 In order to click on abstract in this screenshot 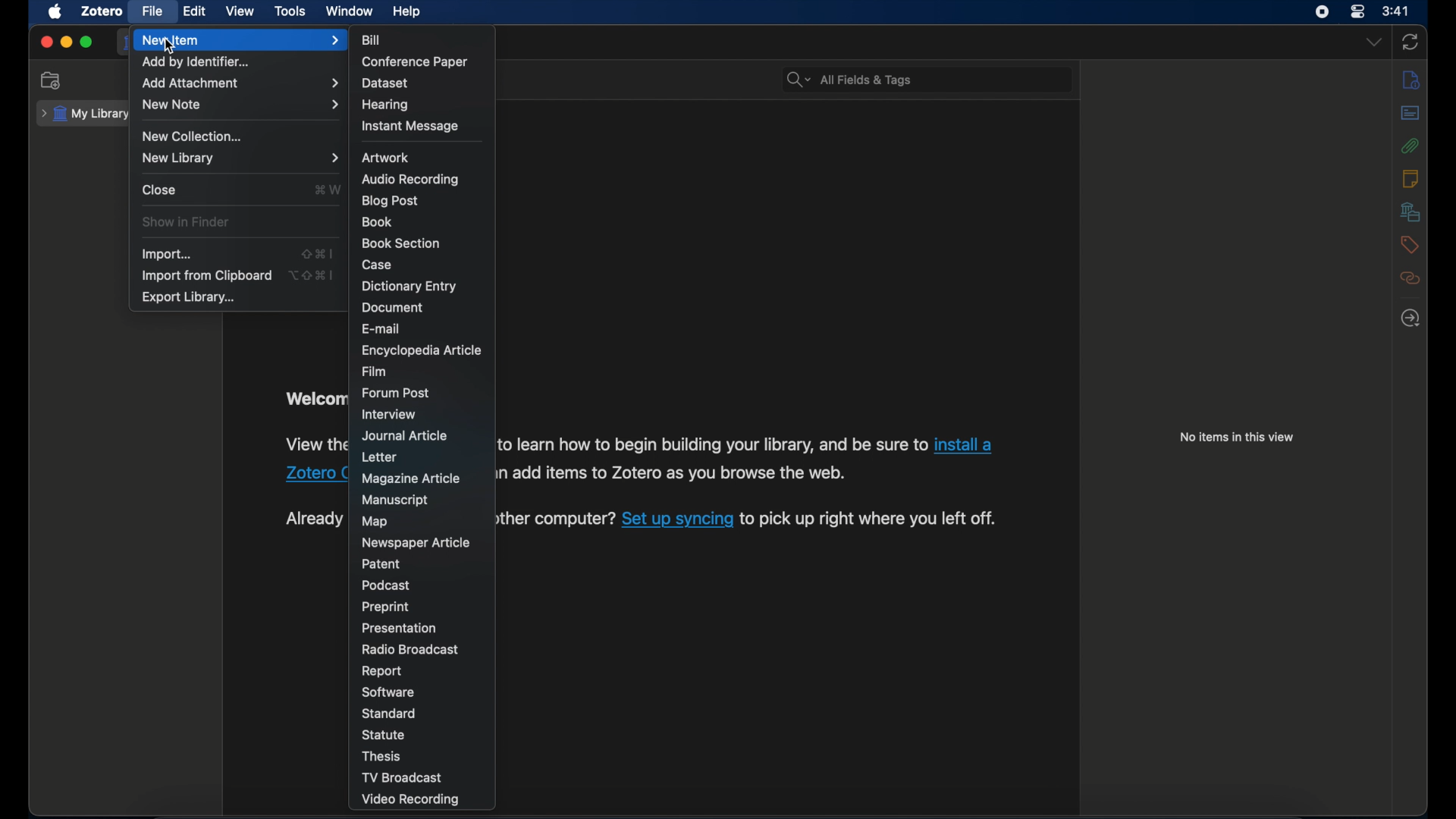, I will do `click(1410, 113)`.